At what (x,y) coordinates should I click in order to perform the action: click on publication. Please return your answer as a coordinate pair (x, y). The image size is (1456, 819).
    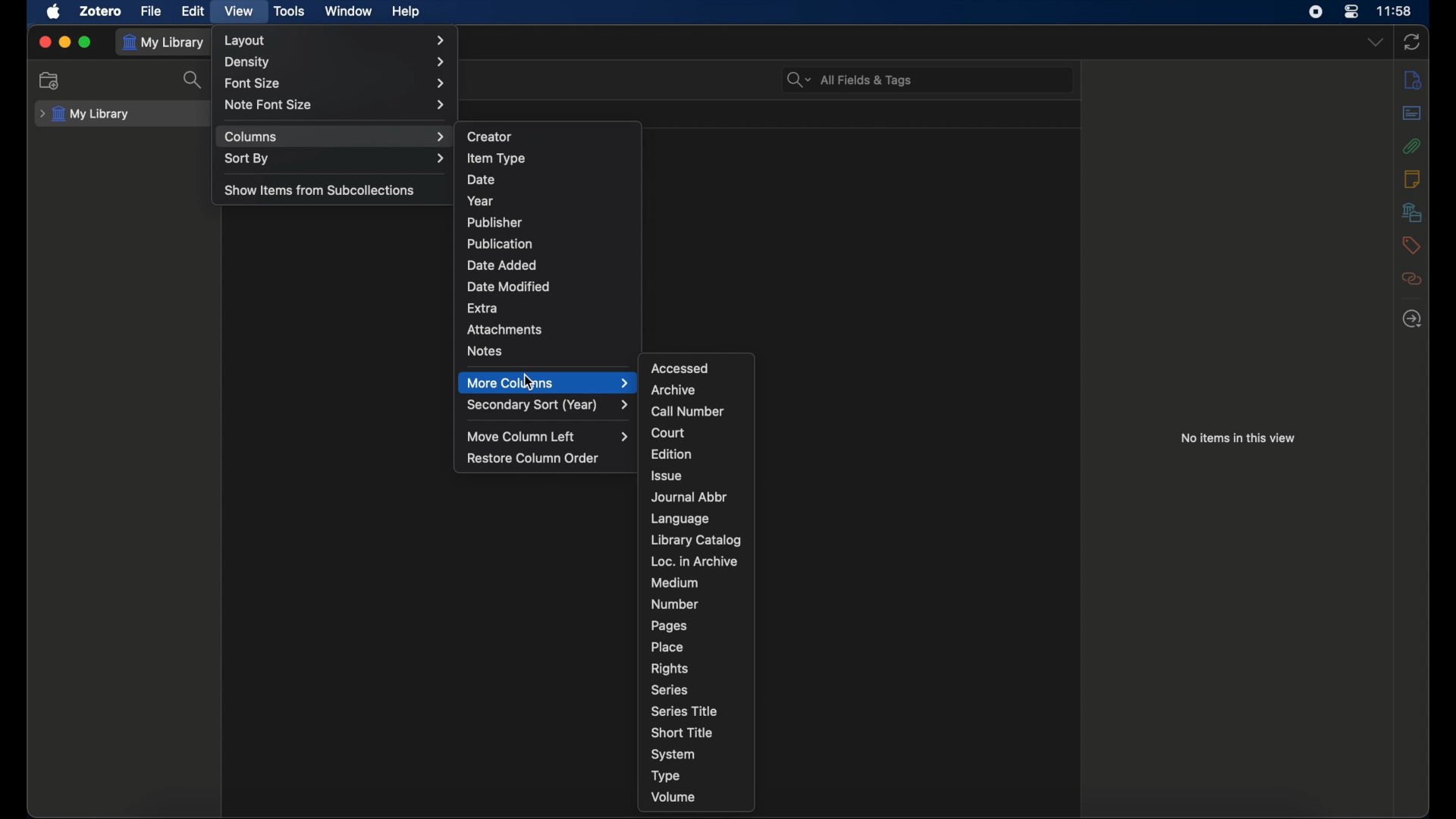
    Looking at the image, I should click on (499, 243).